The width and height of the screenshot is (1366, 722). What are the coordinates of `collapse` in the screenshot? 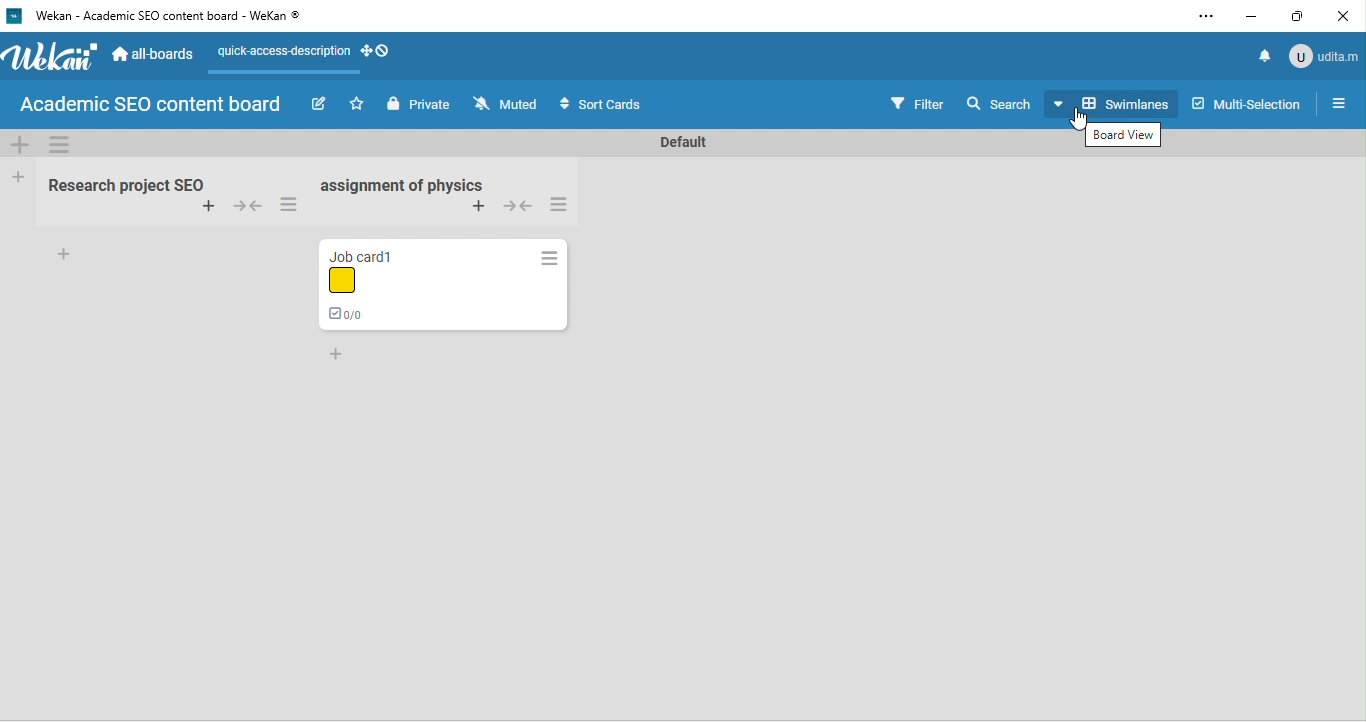 It's located at (246, 208).